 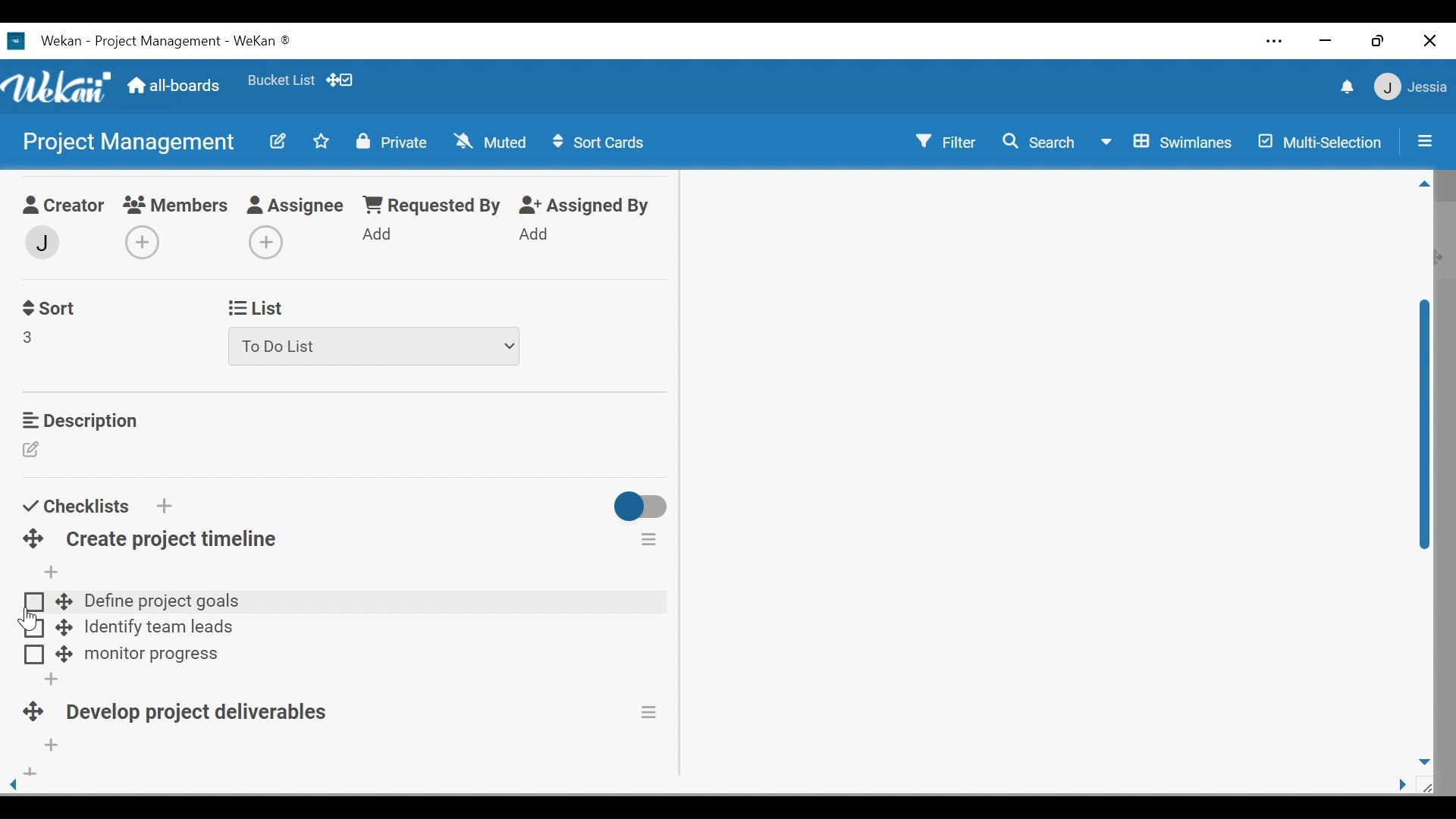 What do you see at coordinates (651, 712) in the screenshot?
I see `checklist actions` at bounding box center [651, 712].